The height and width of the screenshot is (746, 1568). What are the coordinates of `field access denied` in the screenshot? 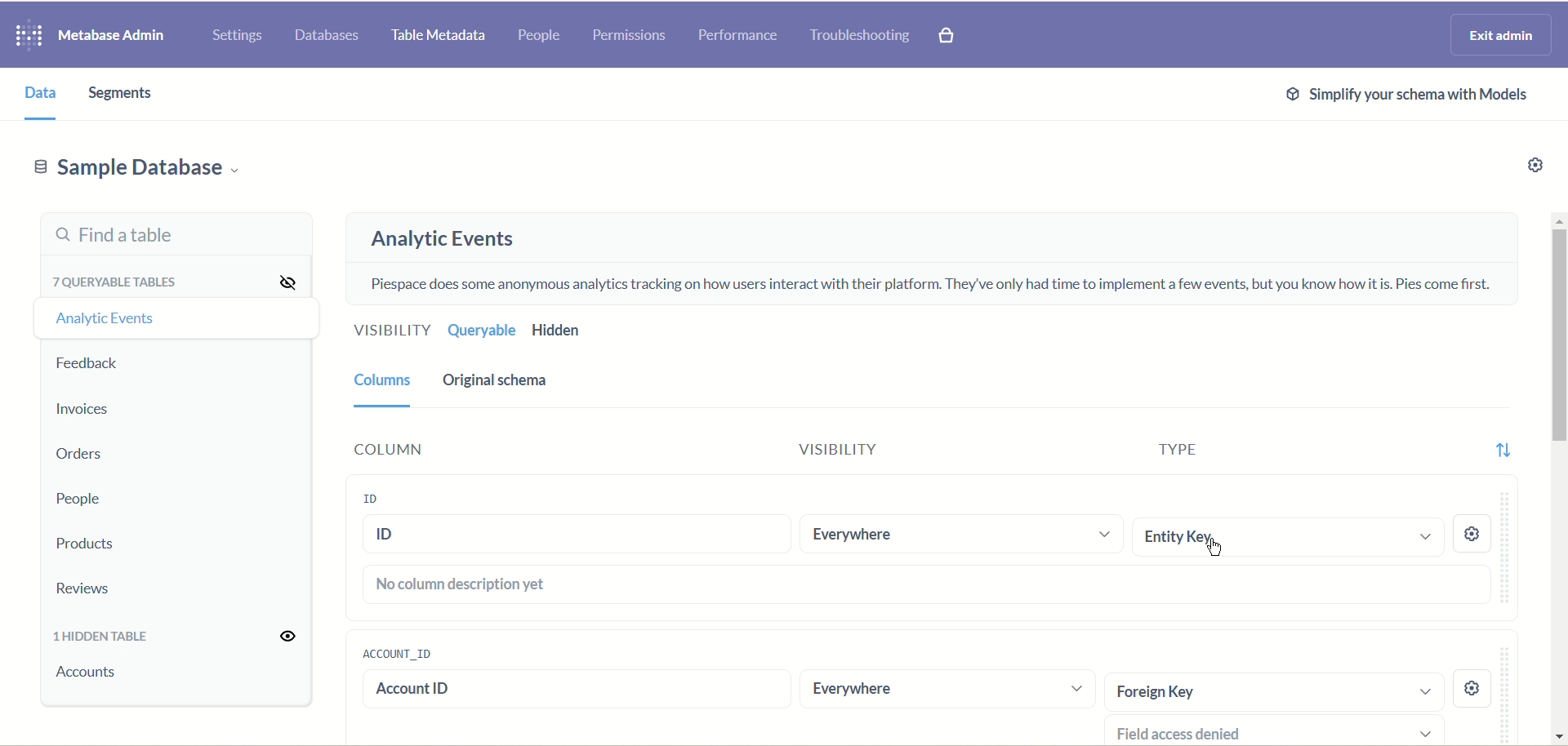 It's located at (1281, 730).